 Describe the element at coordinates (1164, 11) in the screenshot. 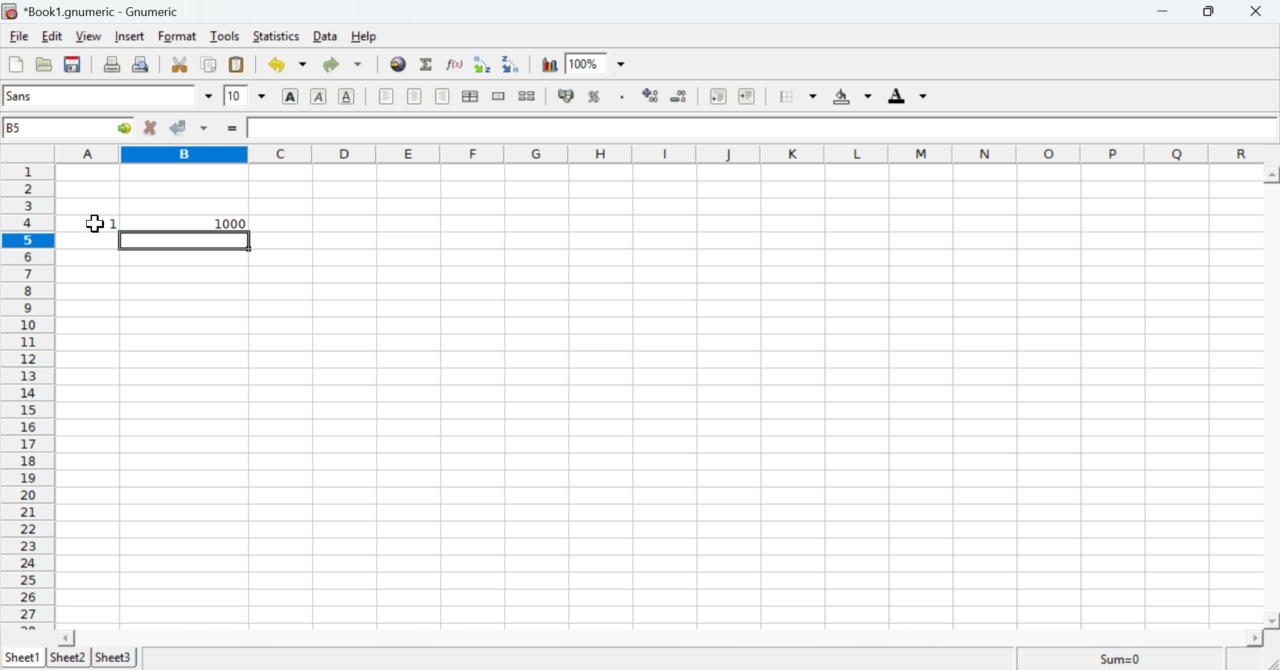

I see `Minimize` at that location.